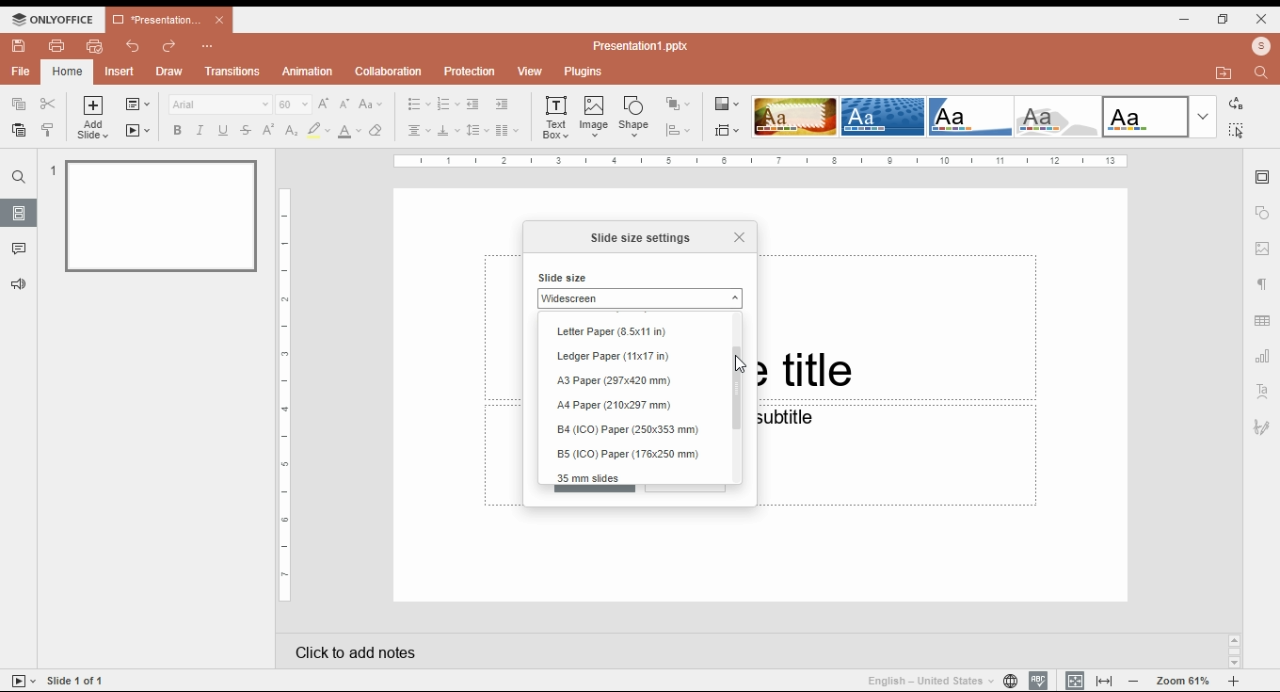 This screenshot has height=692, width=1280. What do you see at coordinates (448, 133) in the screenshot?
I see `vertical alignment` at bounding box center [448, 133].